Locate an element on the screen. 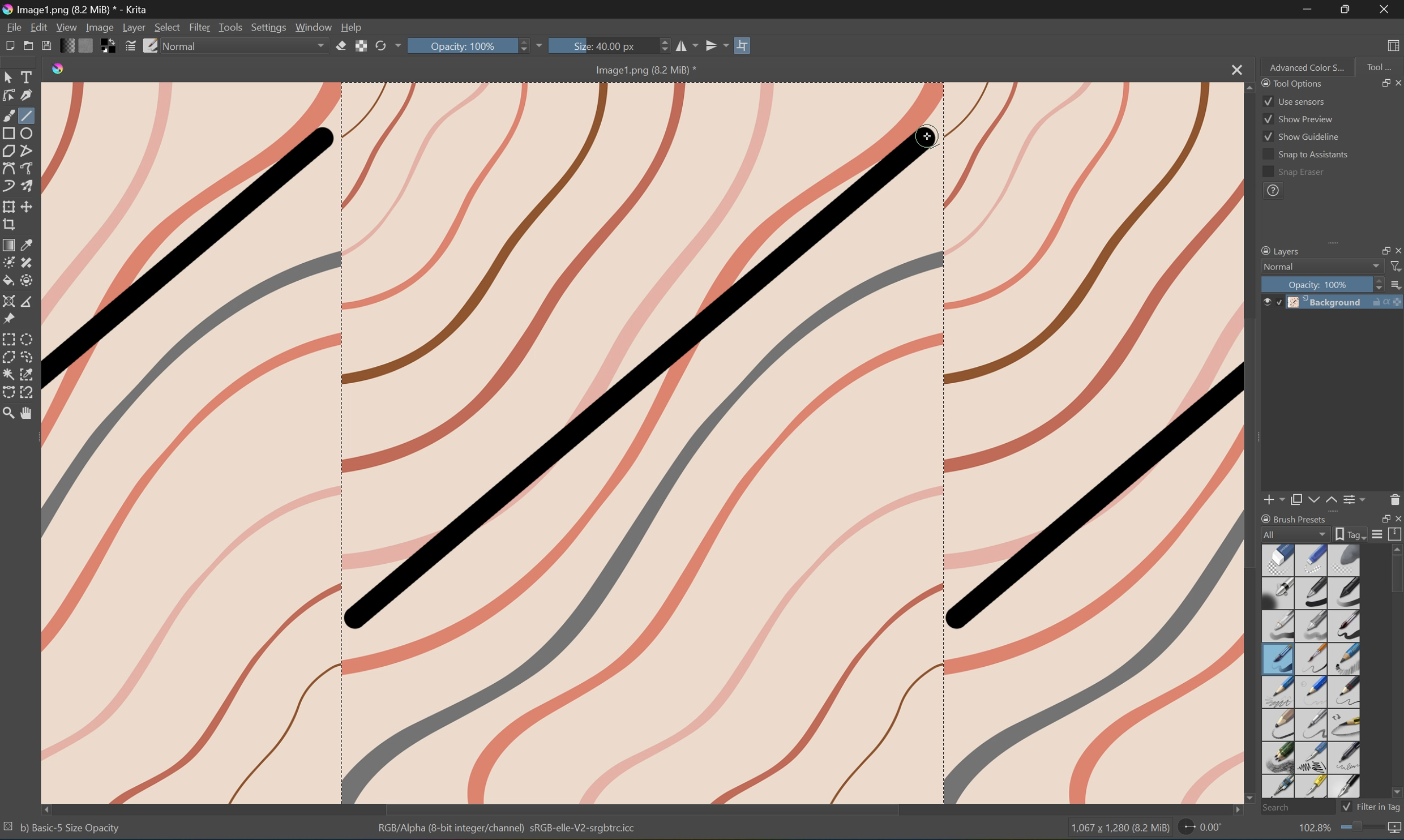  Horizontal mirror tool is located at coordinates (686, 46).